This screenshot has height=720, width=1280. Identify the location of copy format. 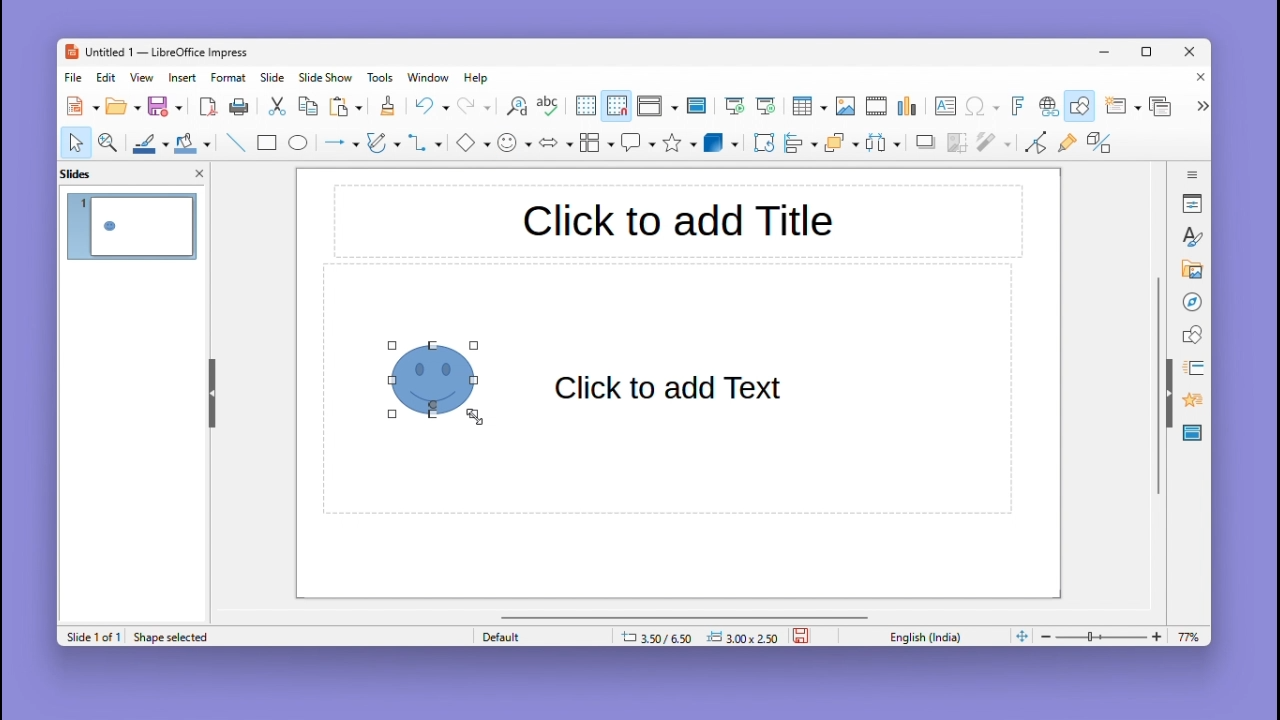
(386, 108).